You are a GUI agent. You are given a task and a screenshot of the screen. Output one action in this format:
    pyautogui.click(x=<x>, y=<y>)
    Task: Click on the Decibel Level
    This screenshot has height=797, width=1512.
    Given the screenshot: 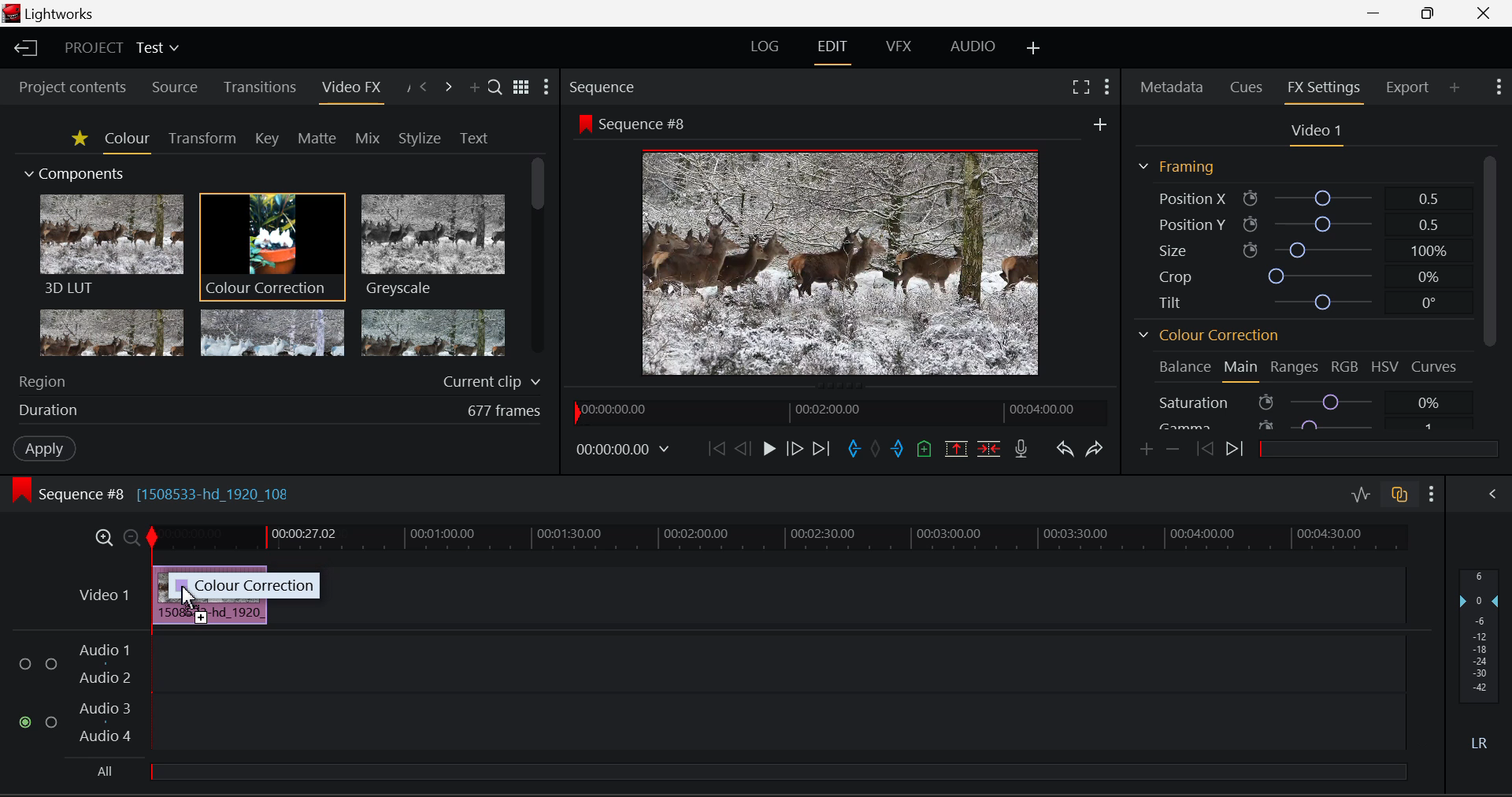 What is the action you would take?
    pyautogui.click(x=1484, y=662)
    